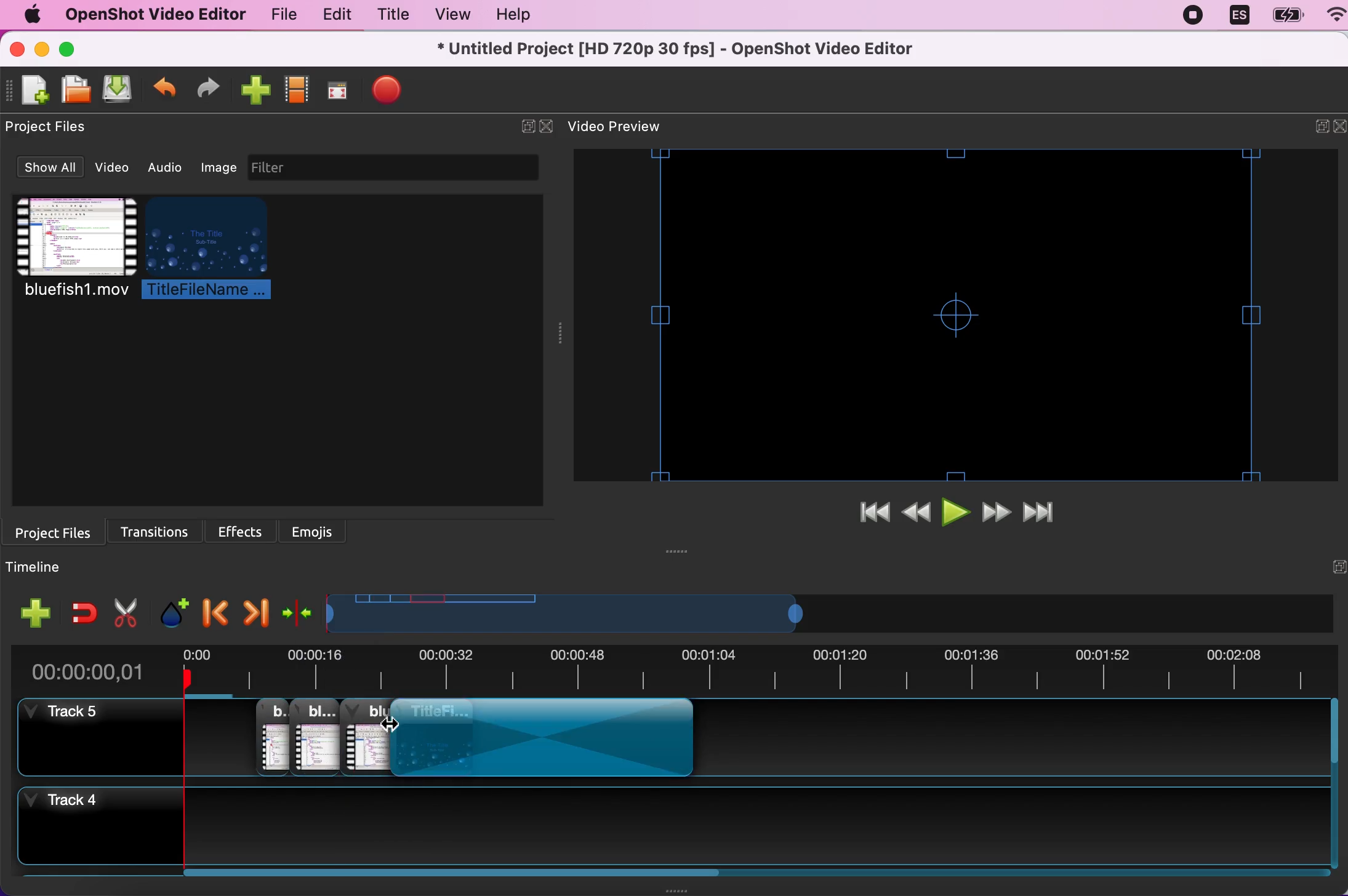 This screenshot has height=896, width=1348. I want to click on track 5, so click(1022, 738).